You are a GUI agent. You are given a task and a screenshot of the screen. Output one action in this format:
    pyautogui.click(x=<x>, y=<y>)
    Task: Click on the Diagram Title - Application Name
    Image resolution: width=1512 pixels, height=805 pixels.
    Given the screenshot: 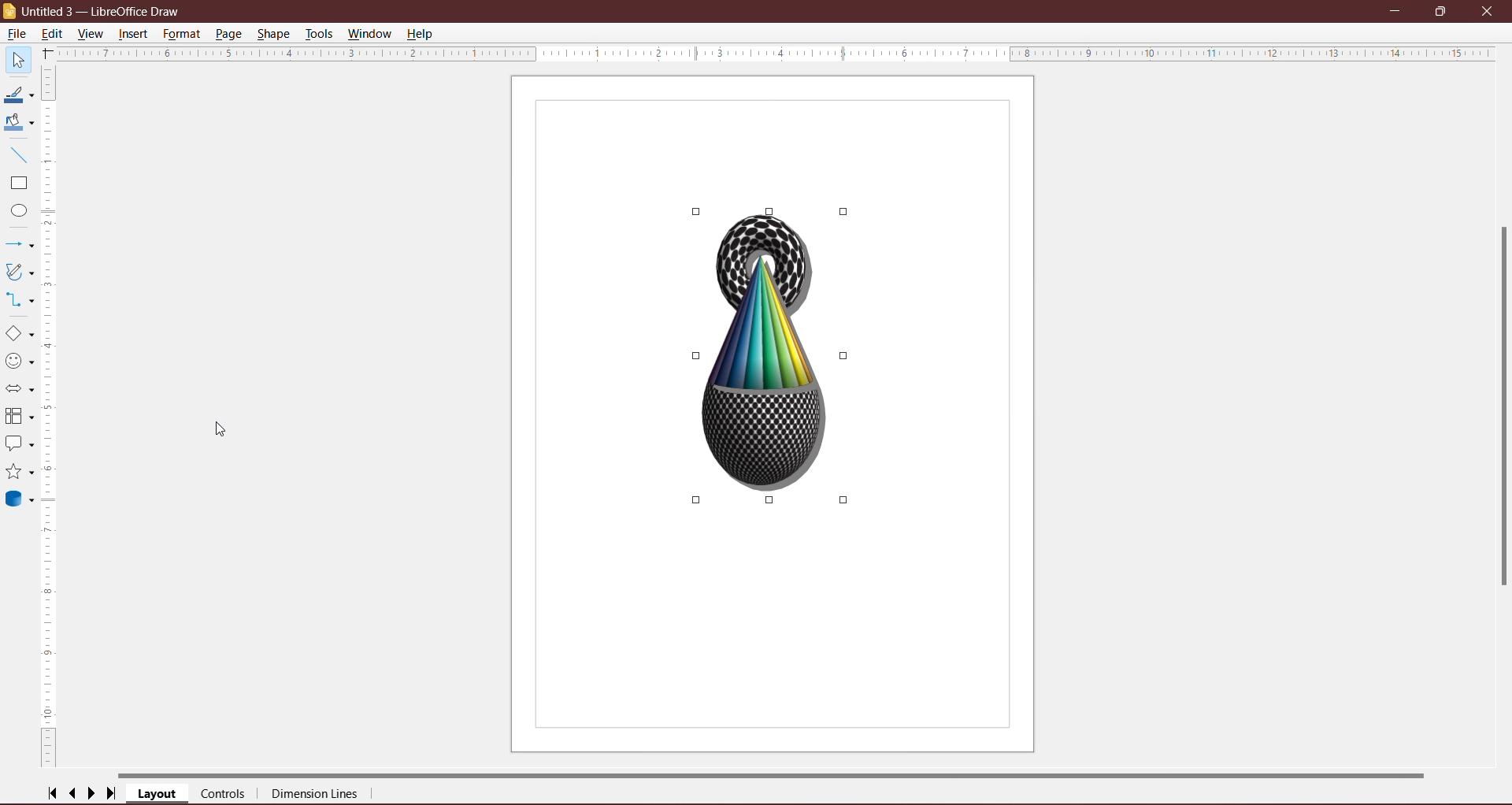 What is the action you would take?
    pyautogui.click(x=106, y=10)
    